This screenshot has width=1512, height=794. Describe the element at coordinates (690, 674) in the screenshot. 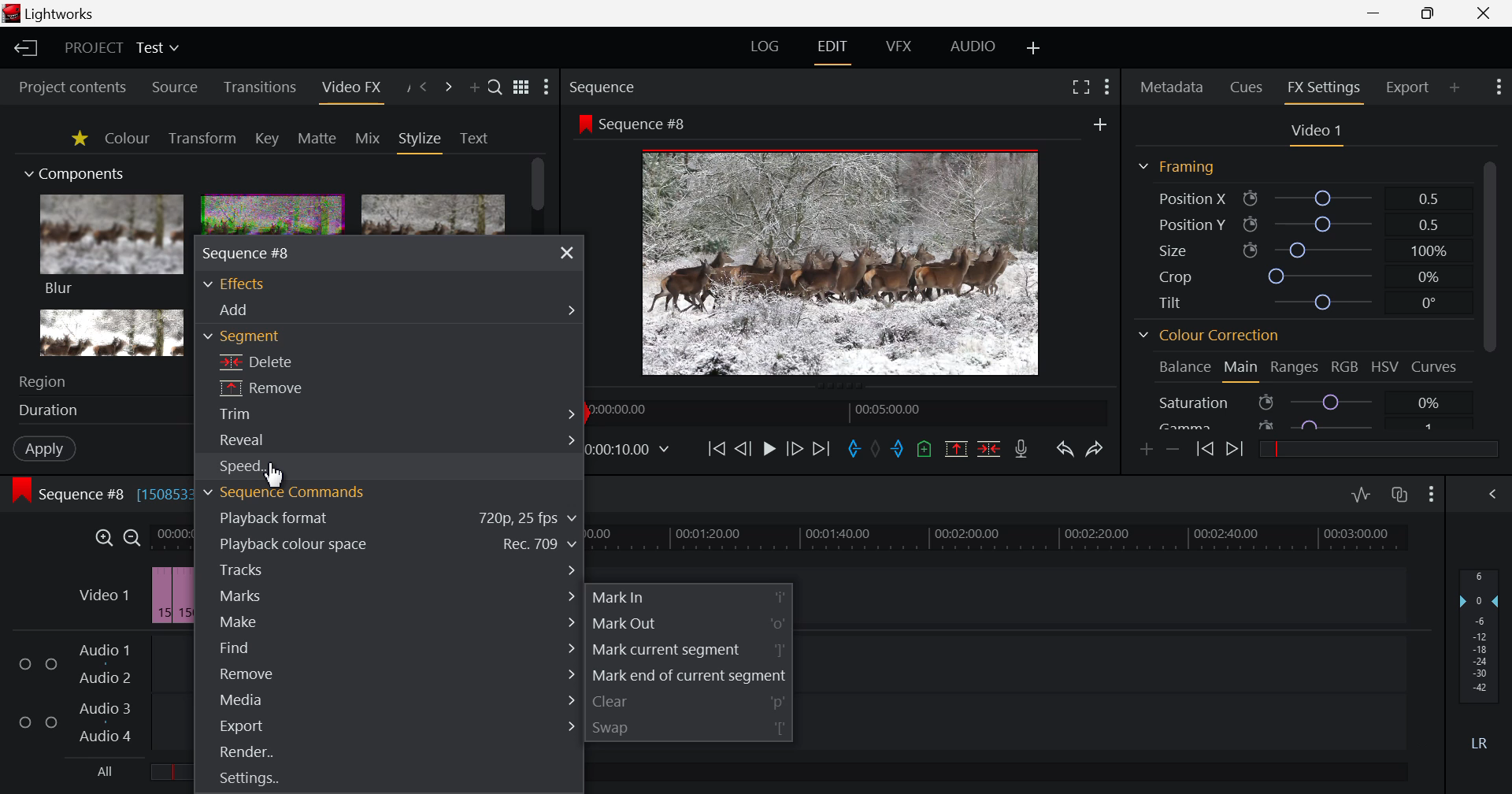

I see `Mark end of current segment` at that location.